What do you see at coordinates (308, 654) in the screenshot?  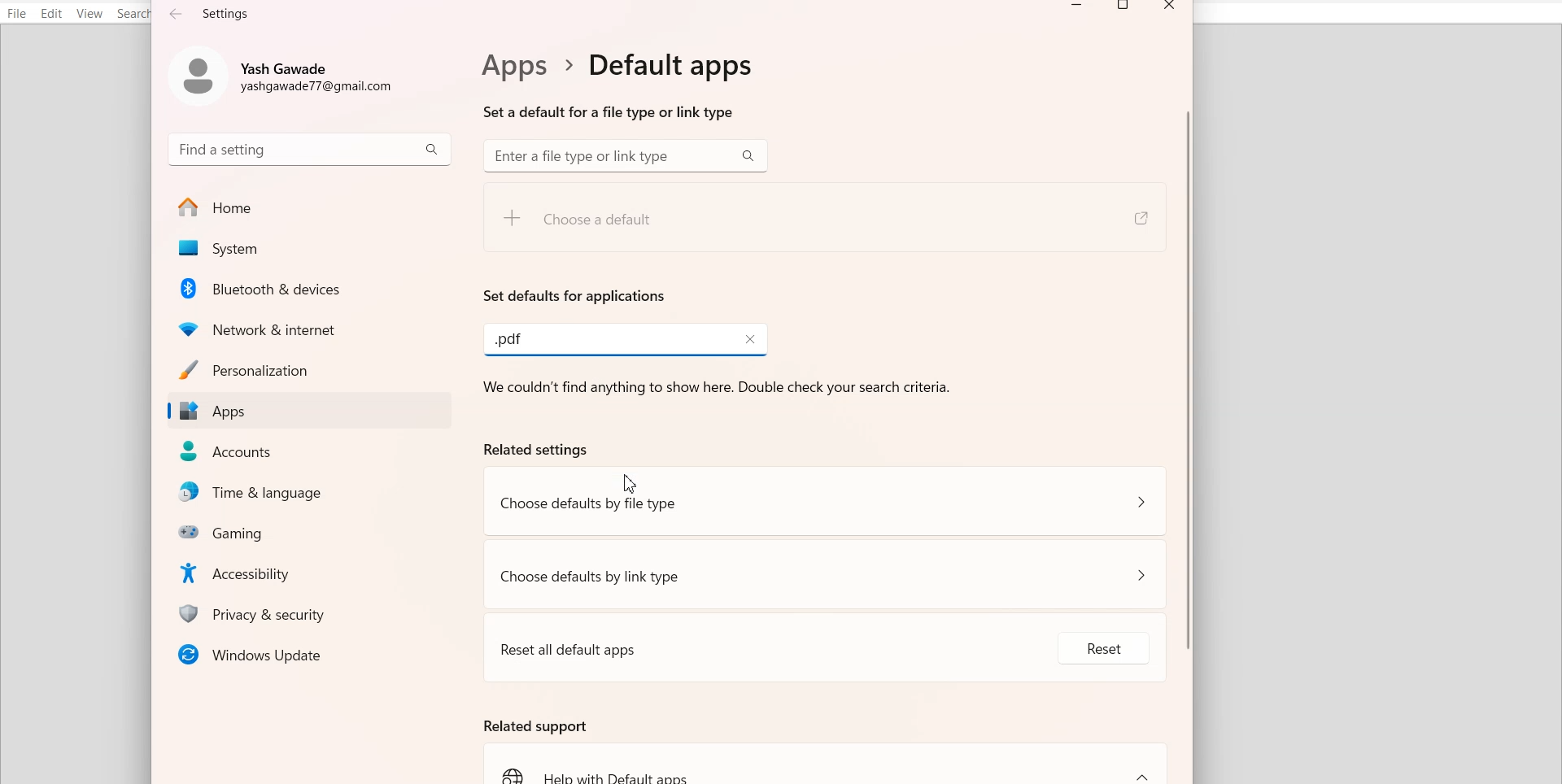 I see `Window Updates` at bounding box center [308, 654].